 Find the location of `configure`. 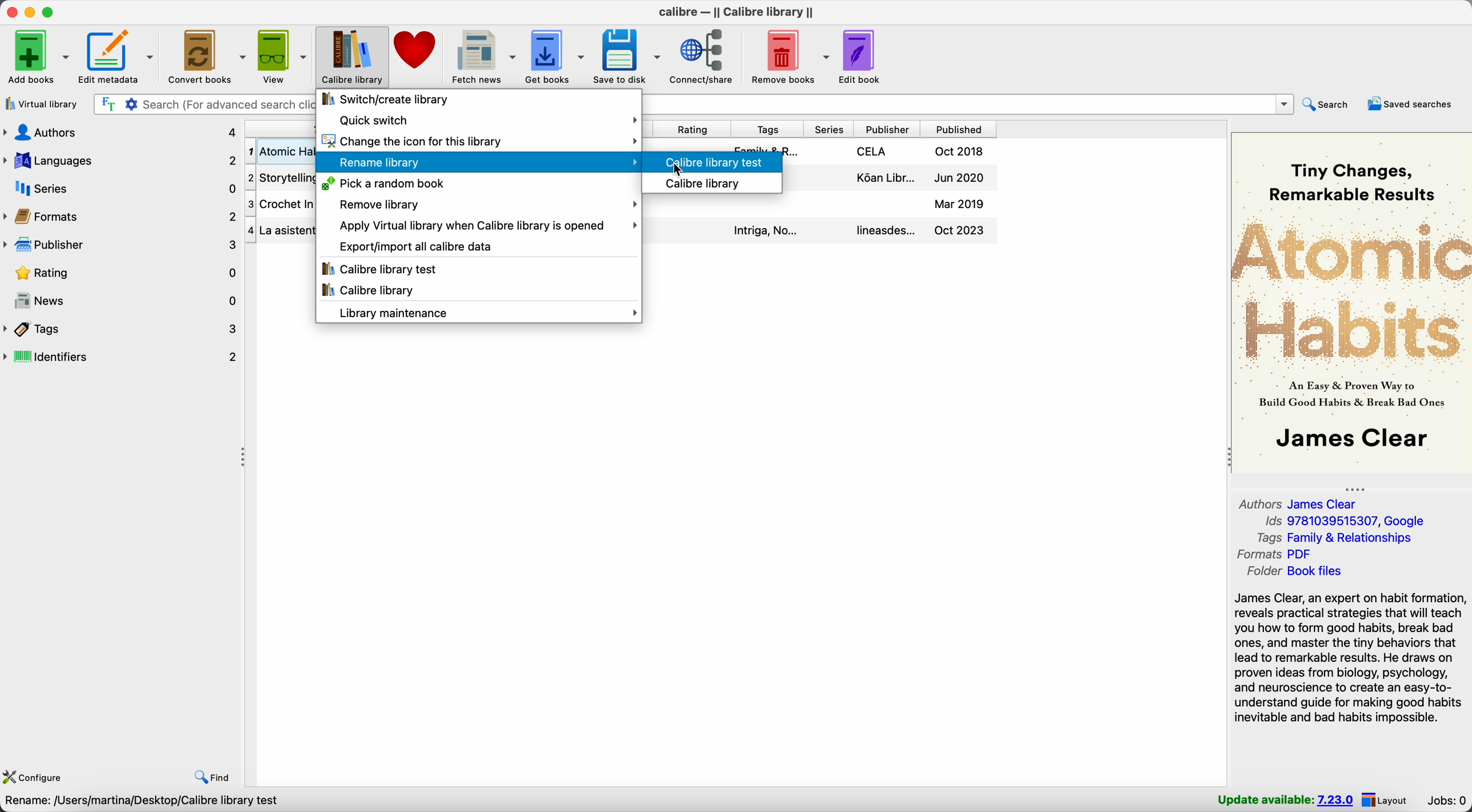

configure is located at coordinates (37, 775).